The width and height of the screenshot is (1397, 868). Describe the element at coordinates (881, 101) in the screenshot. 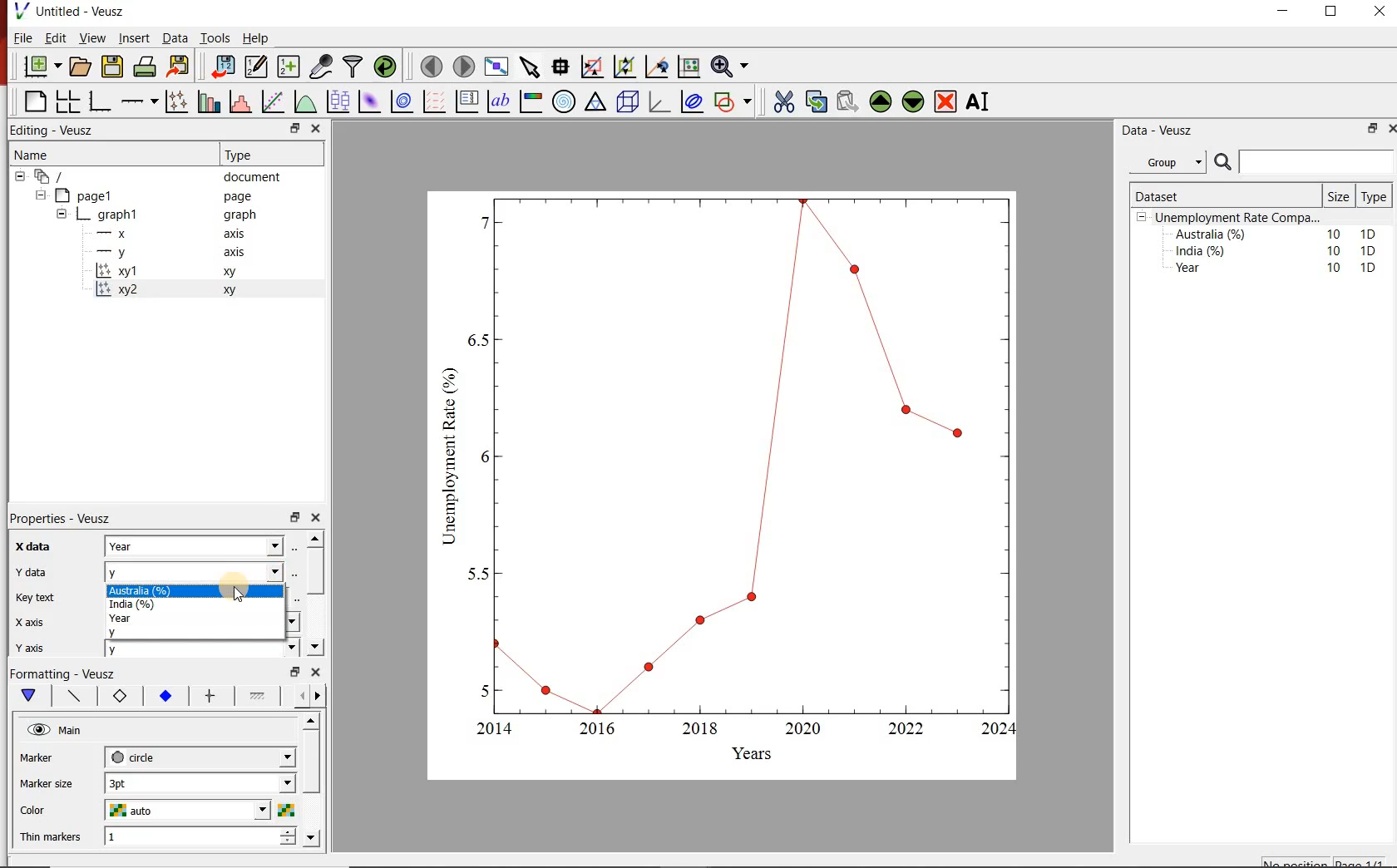

I see `move the widgets up` at that location.